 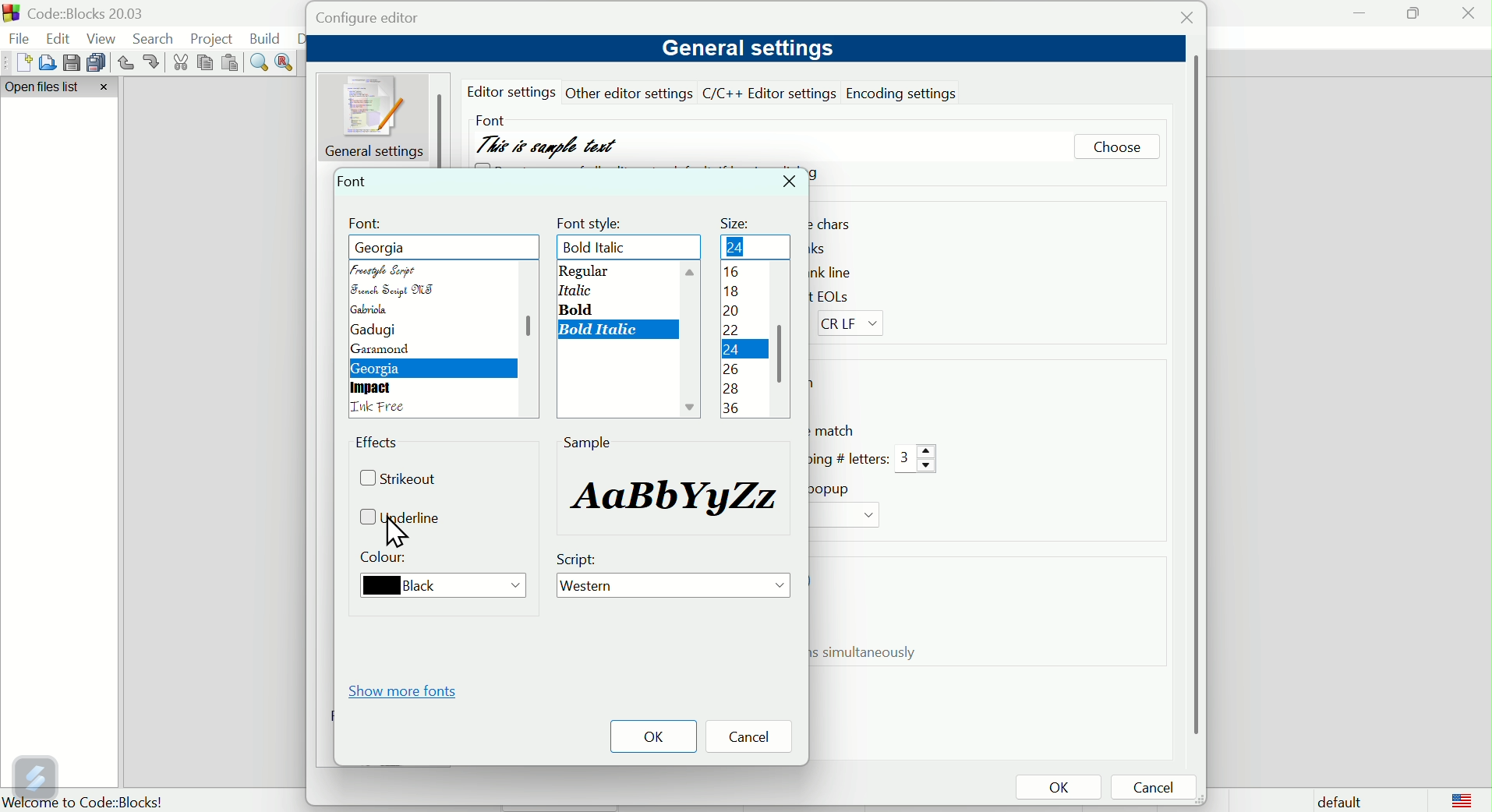 I want to click on Close, so click(x=1183, y=21).